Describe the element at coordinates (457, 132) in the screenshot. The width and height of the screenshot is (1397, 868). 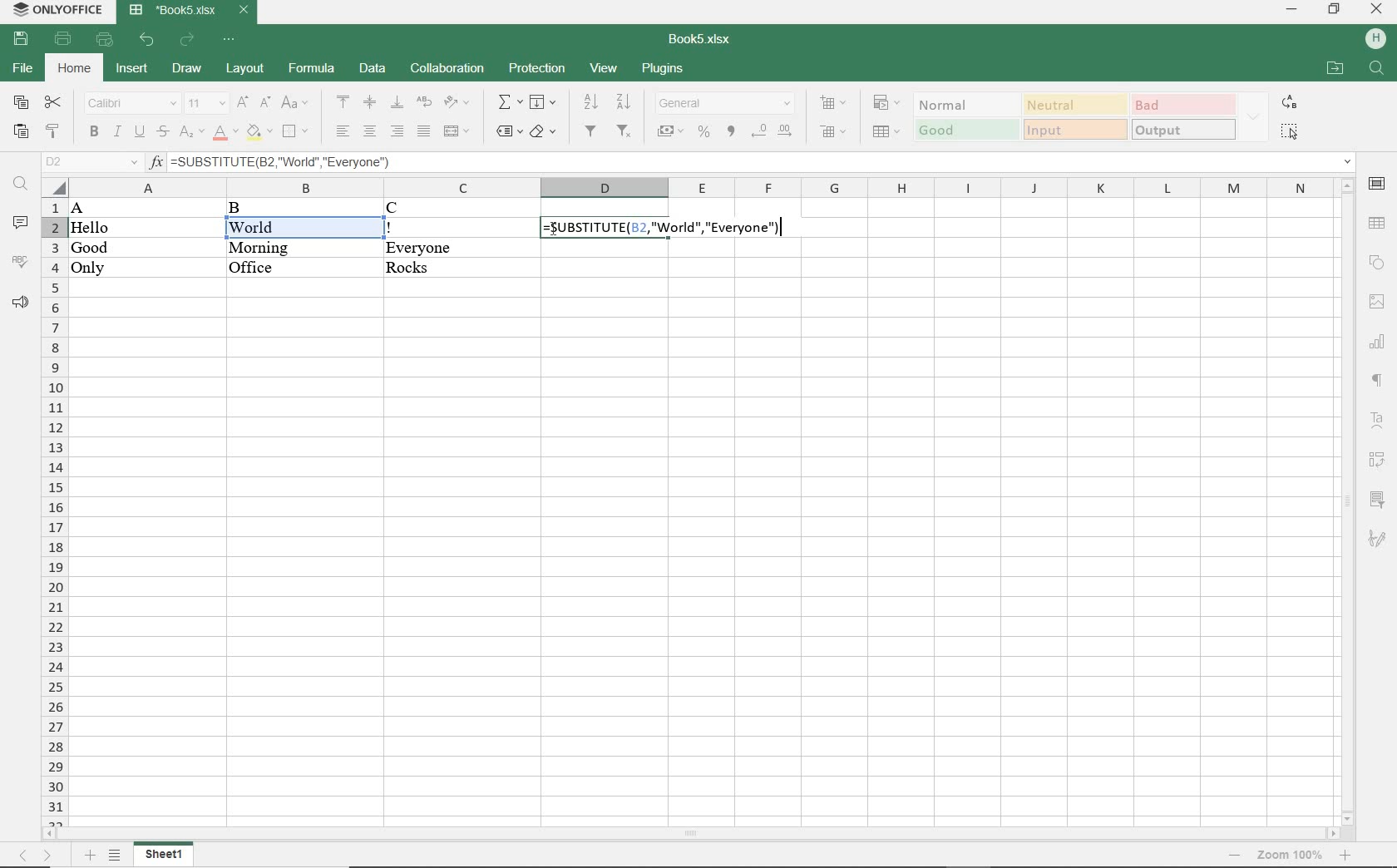
I see `merge and center` at that location.